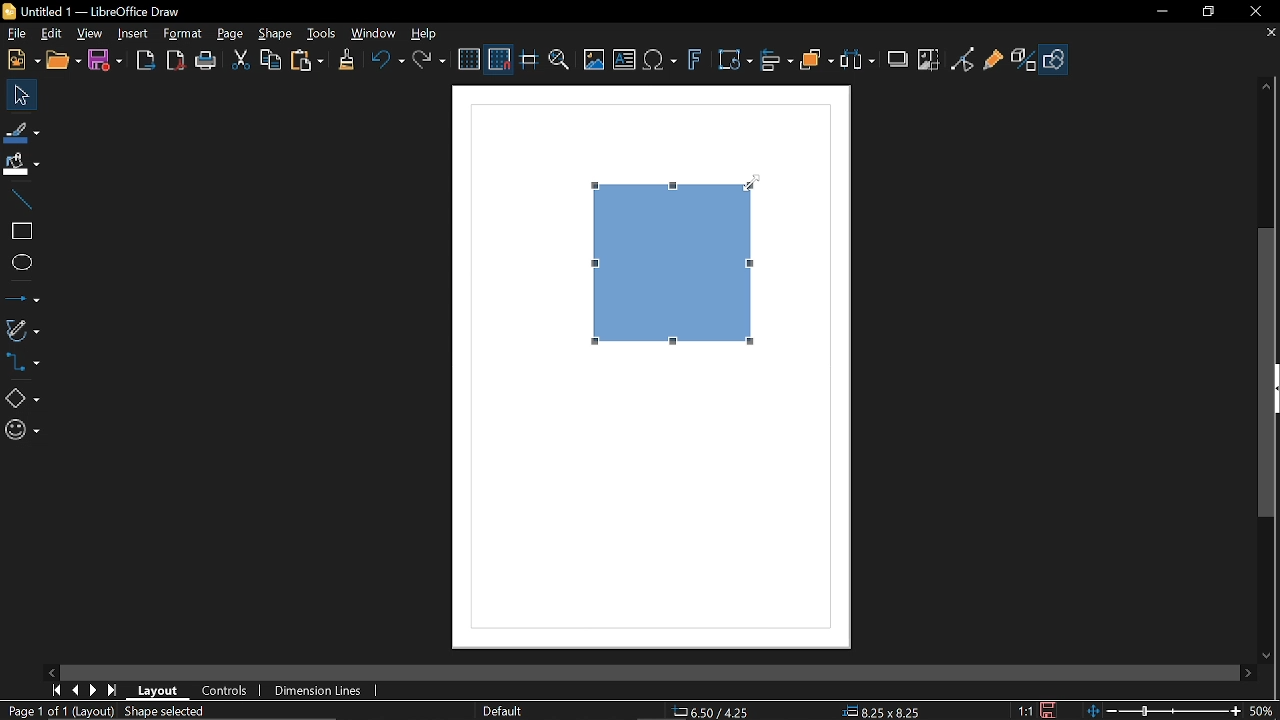  I want to click on Edit, so click(50, 32).